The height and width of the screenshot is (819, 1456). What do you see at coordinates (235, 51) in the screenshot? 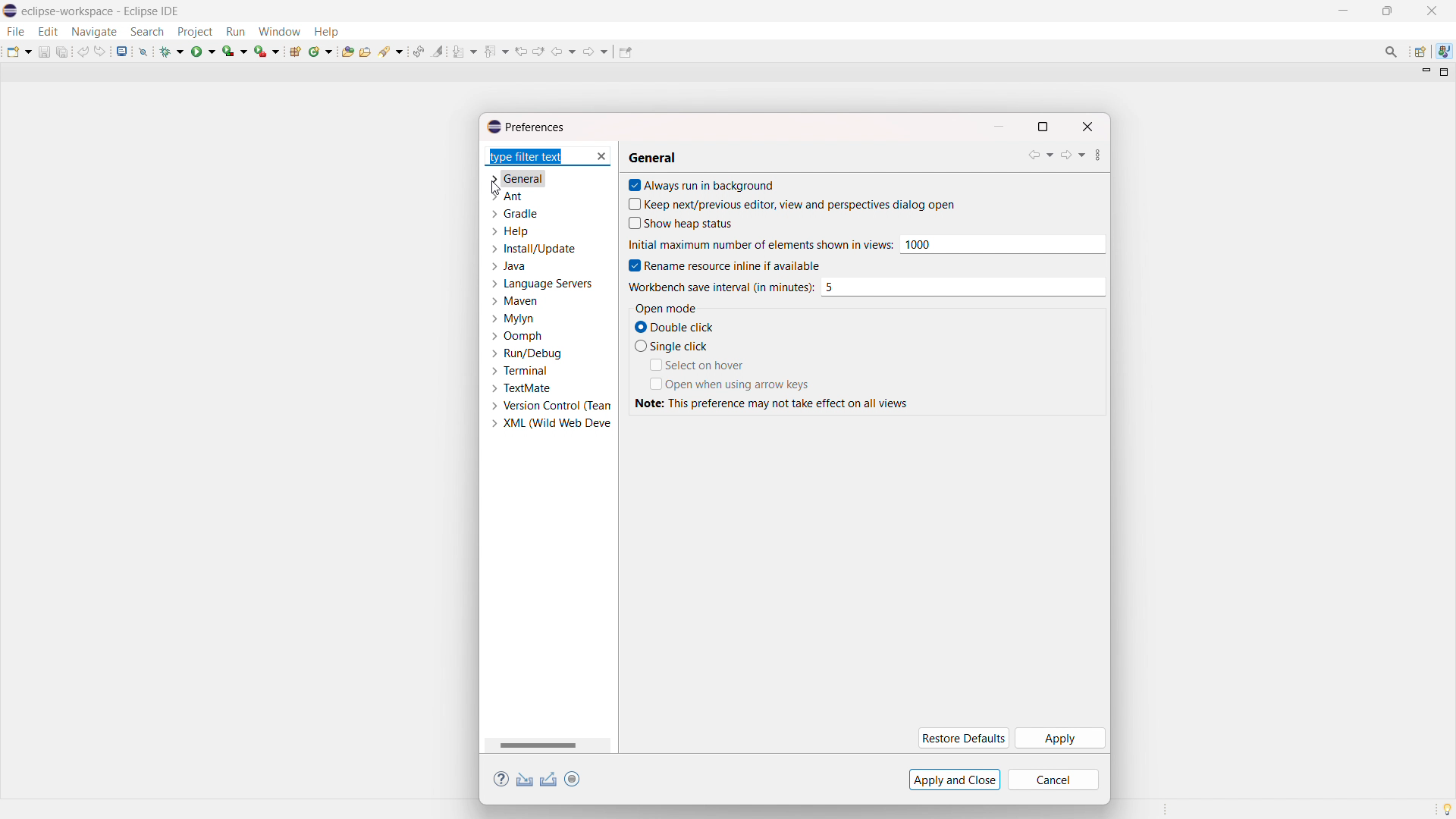
I see `coverage` at bounding box center [235, 51].